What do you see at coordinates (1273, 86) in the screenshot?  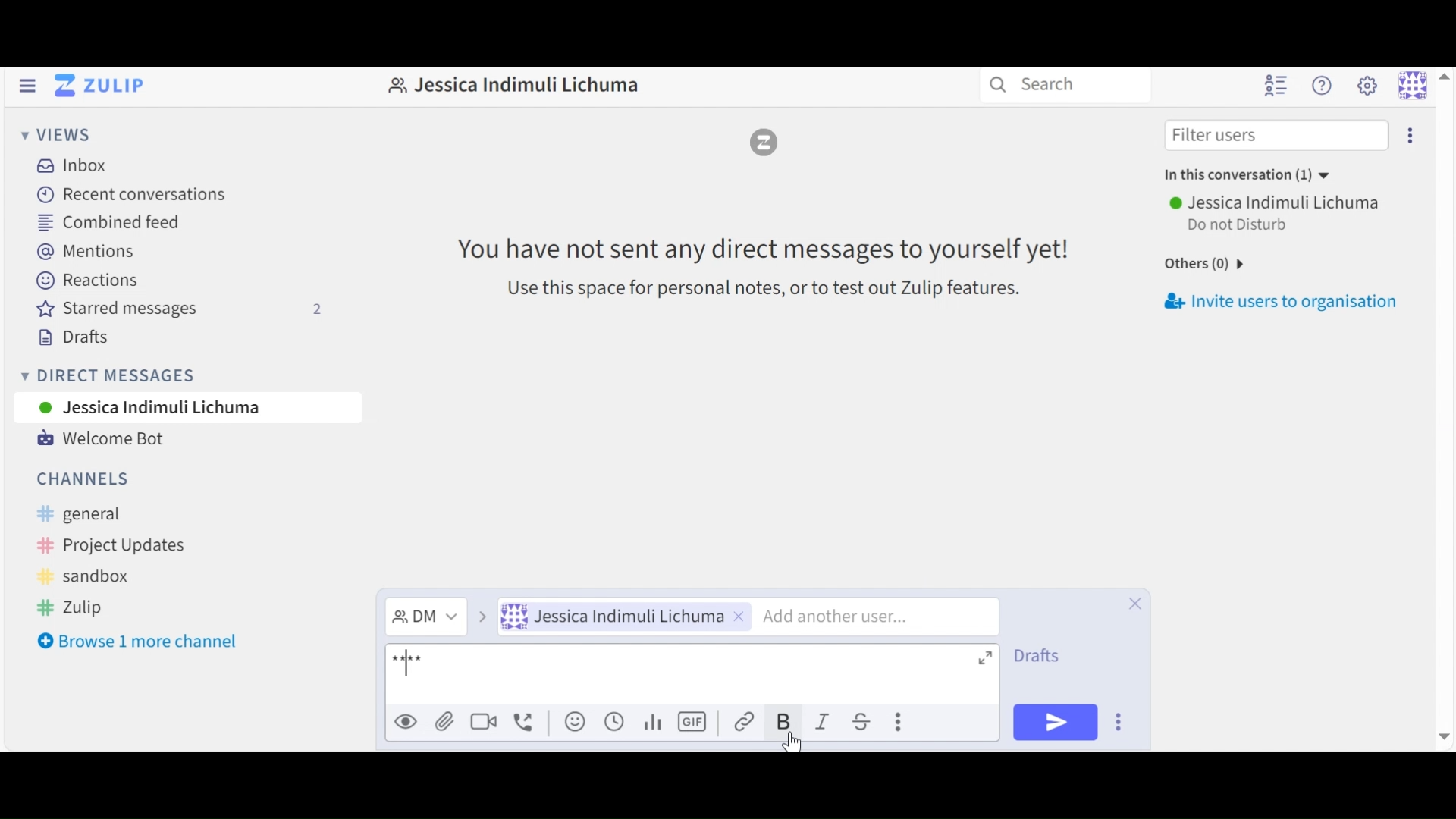 I see `Hide user list` at bounding box center [1273, 86].